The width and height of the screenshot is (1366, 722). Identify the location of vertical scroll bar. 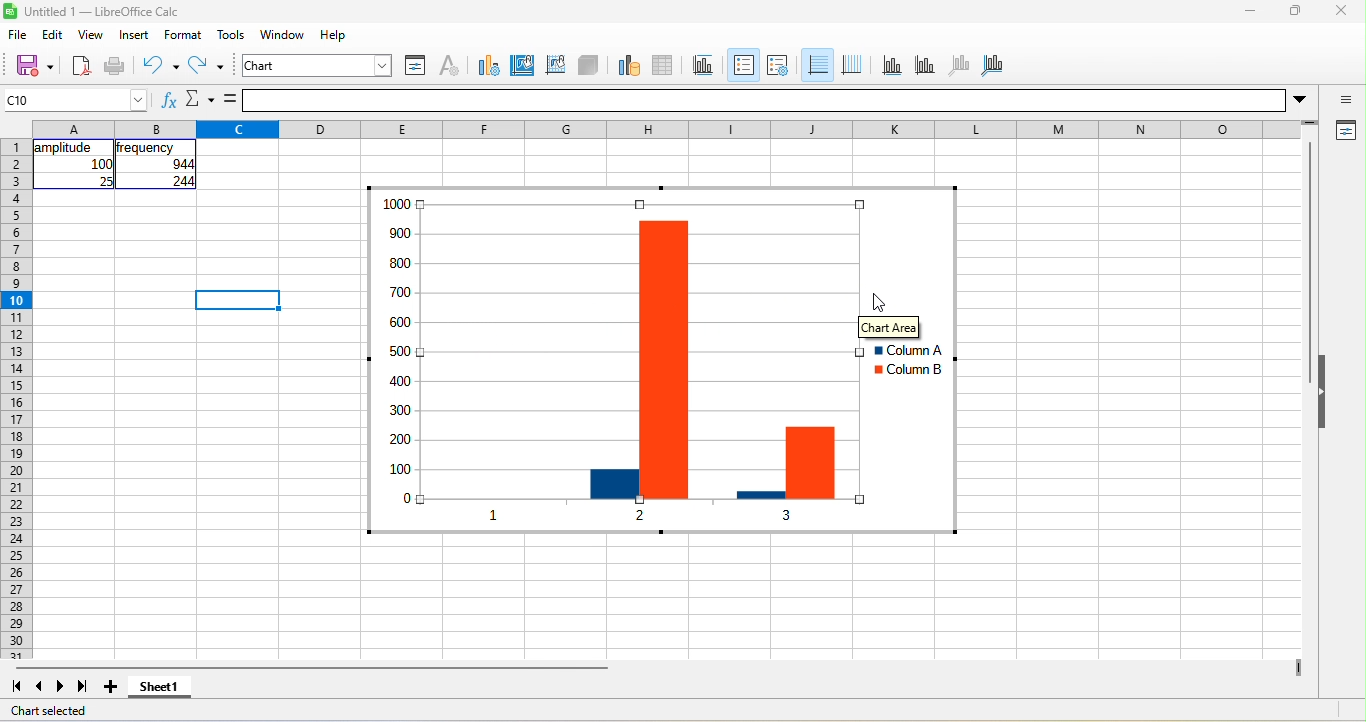
(1308, 265).